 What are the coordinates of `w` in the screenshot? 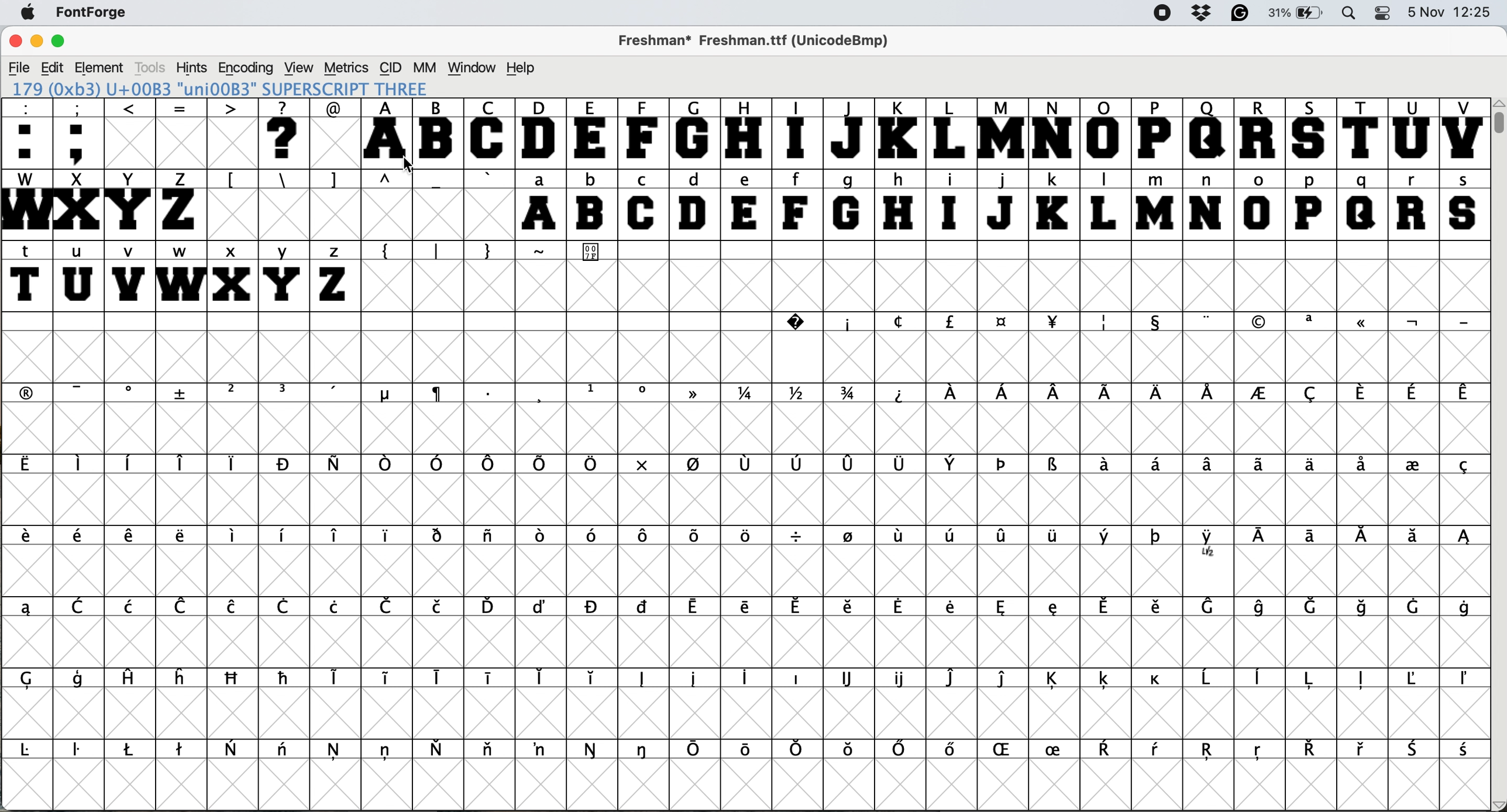 It's located at (178, 274).